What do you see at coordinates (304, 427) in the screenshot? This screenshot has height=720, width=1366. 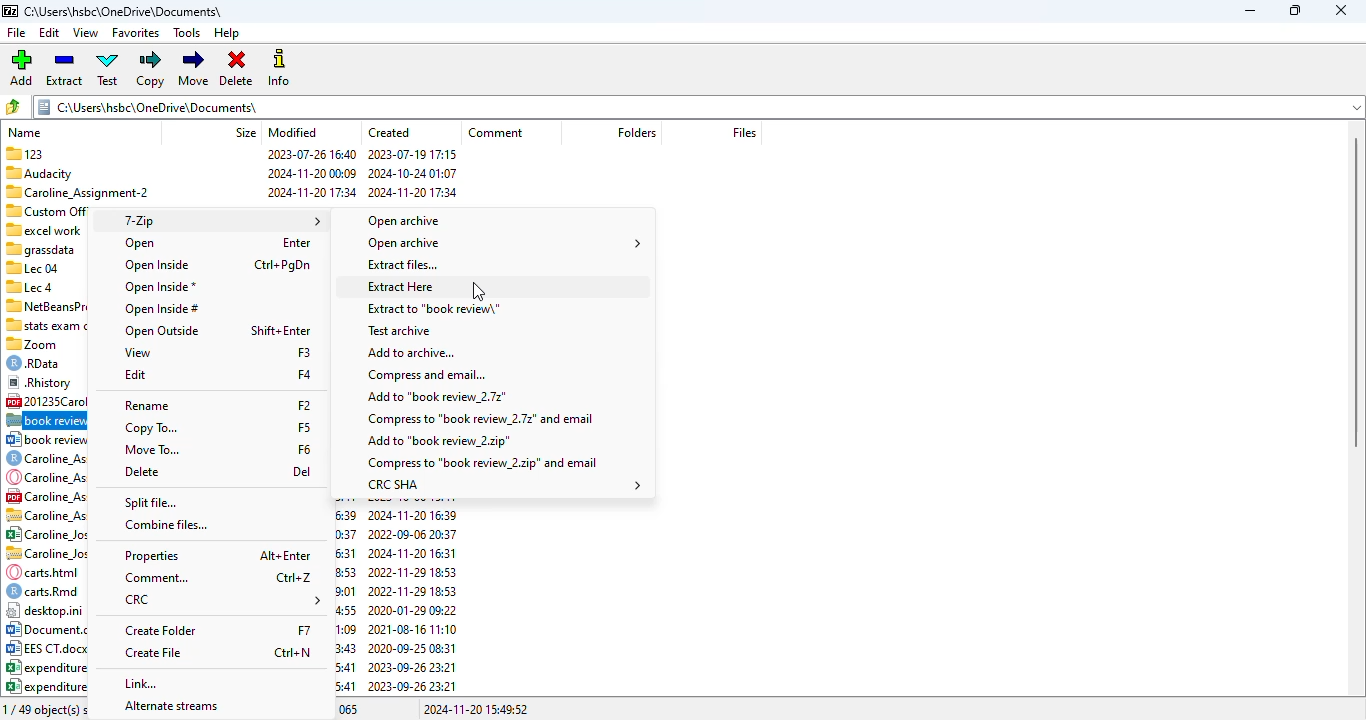 I see `shortcut for copy to` at bounding box center [304, 427].